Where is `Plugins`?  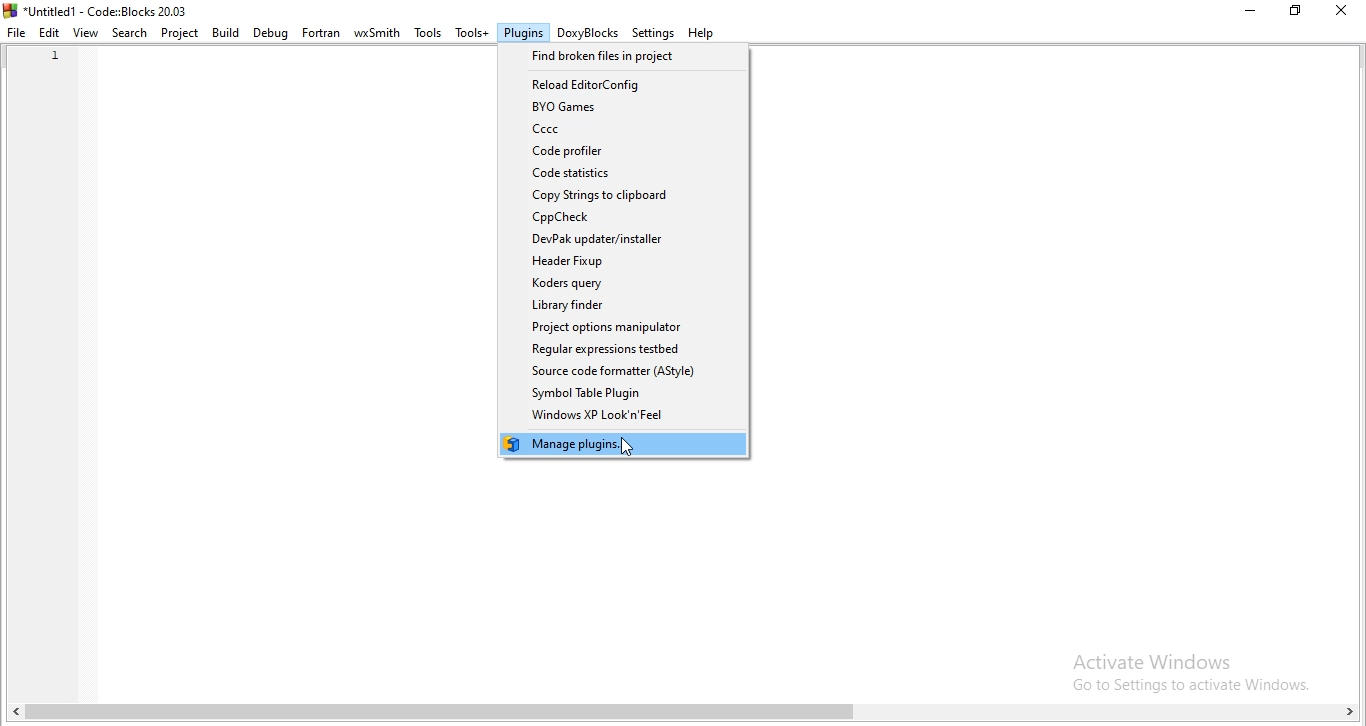 Plugins is located at coordinates (523, 31).